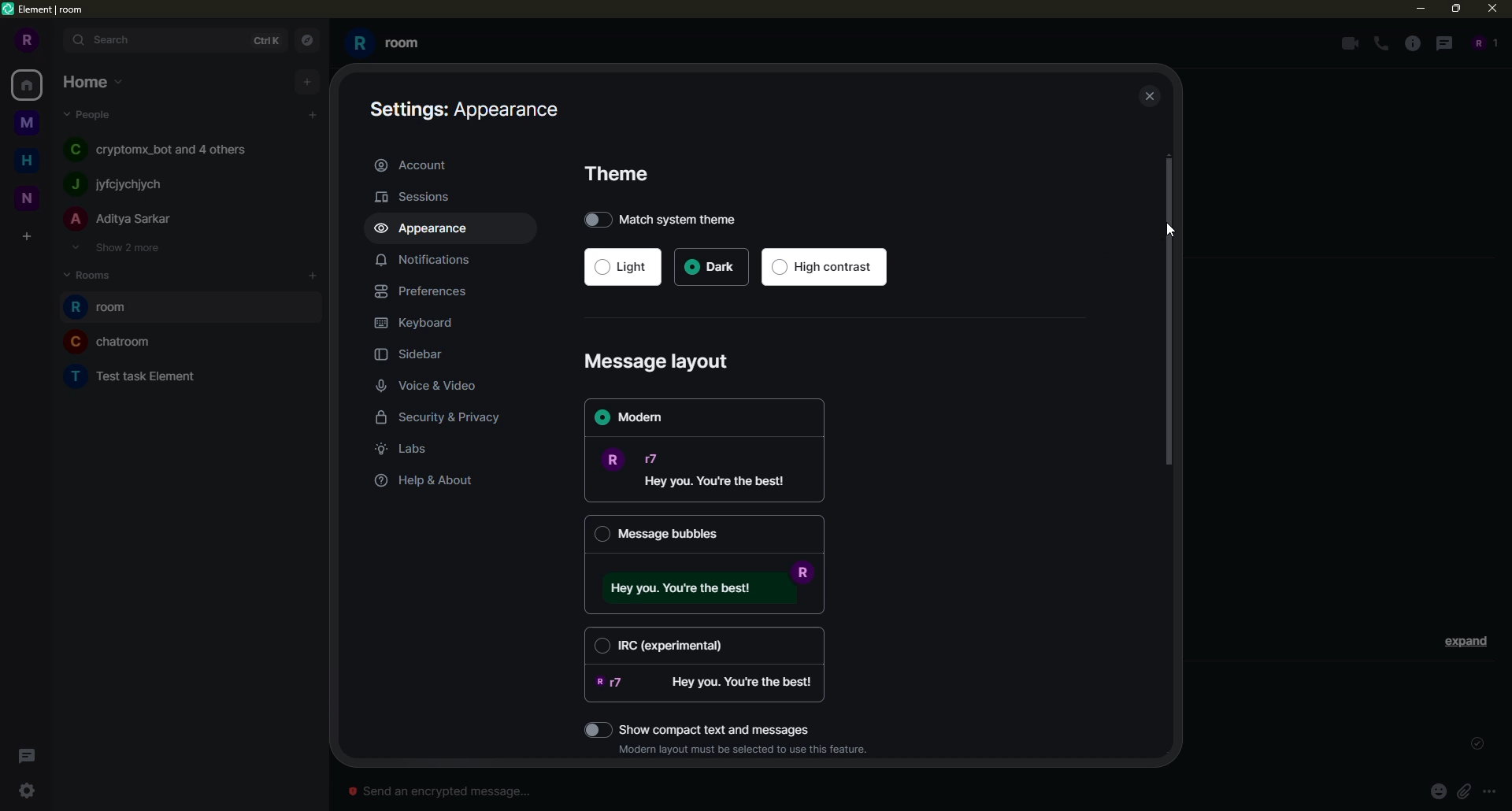 The height and width of the screenshot is (811, 1512). What do you see at coordinates (747, 750) in the screenshot?
I see `info` at bounding box center [747, 750].